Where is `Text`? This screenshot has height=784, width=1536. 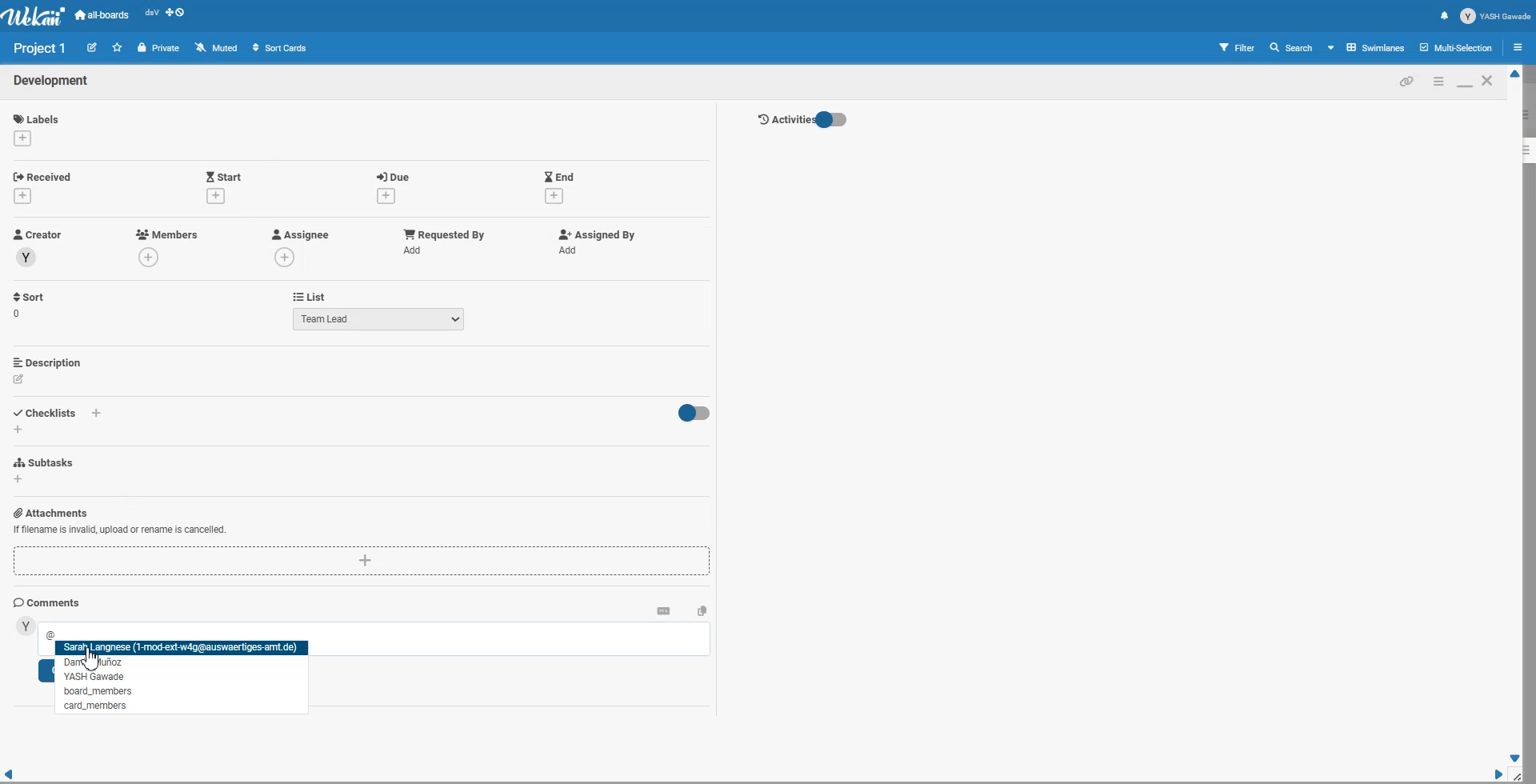 Text is located at coordinates (52, 82).